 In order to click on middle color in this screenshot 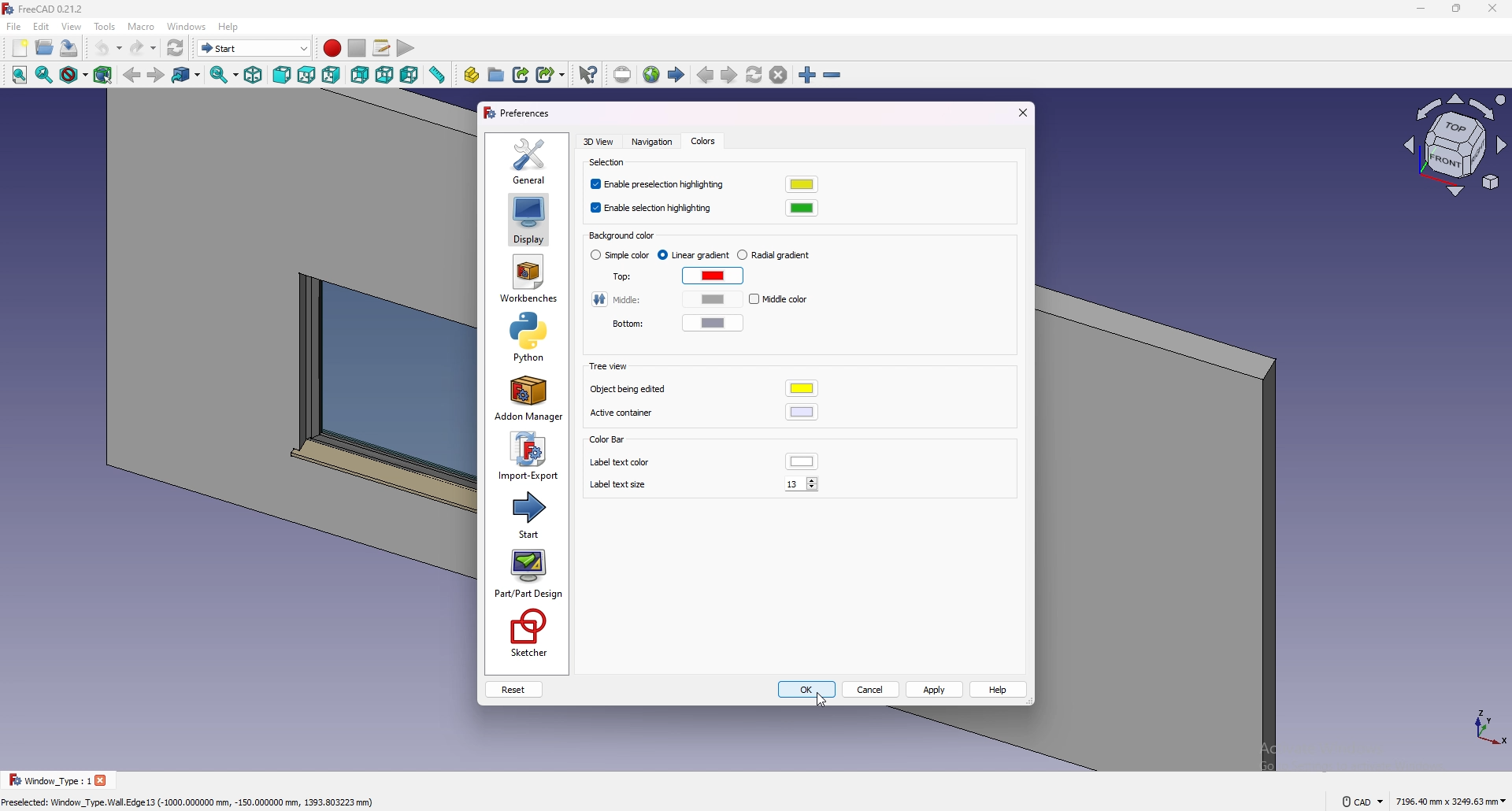, I will do `click(778, 298)`.